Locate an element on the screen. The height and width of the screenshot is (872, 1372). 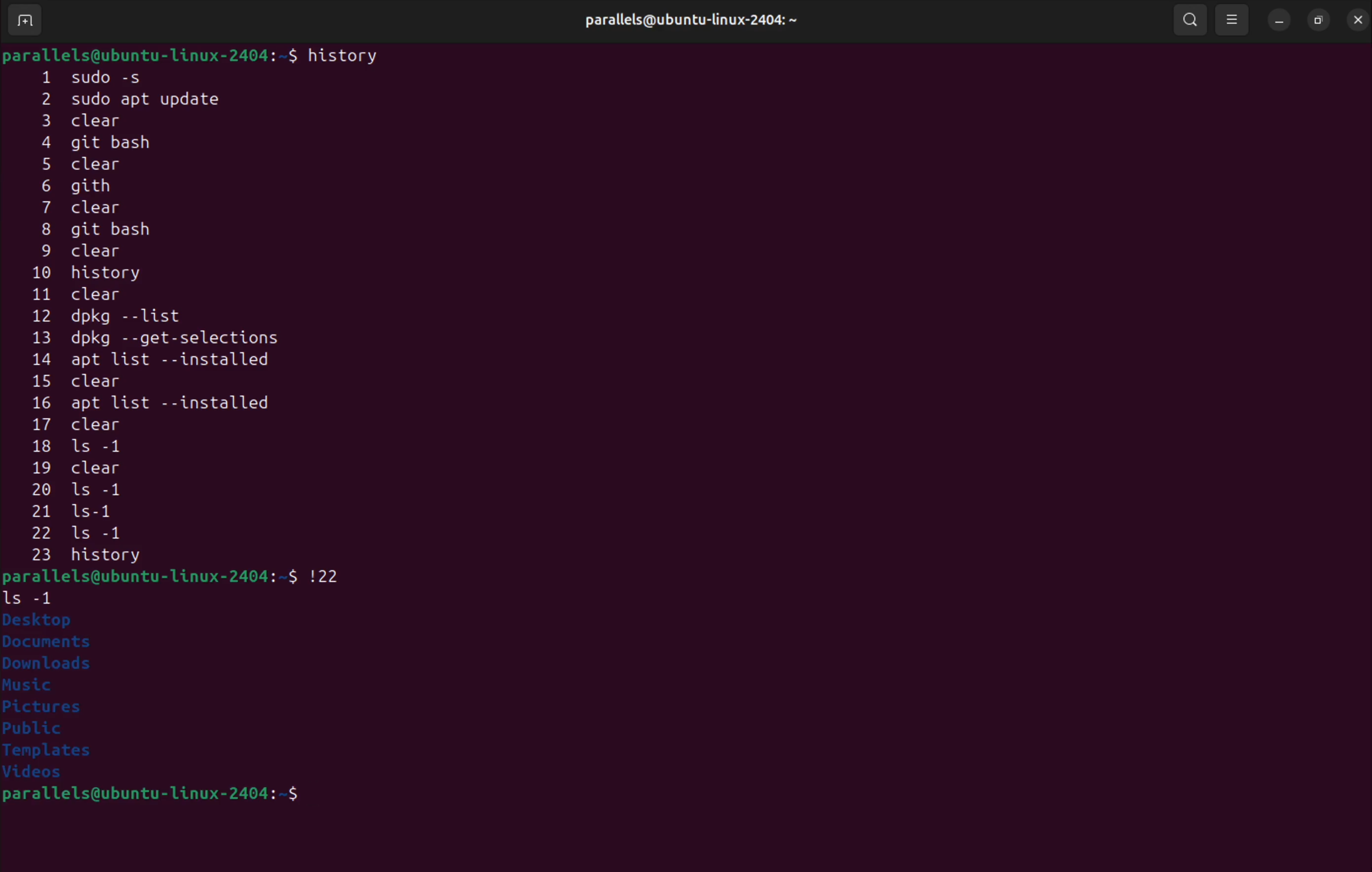
12 dpkg list is located at coordinates (161, 318).